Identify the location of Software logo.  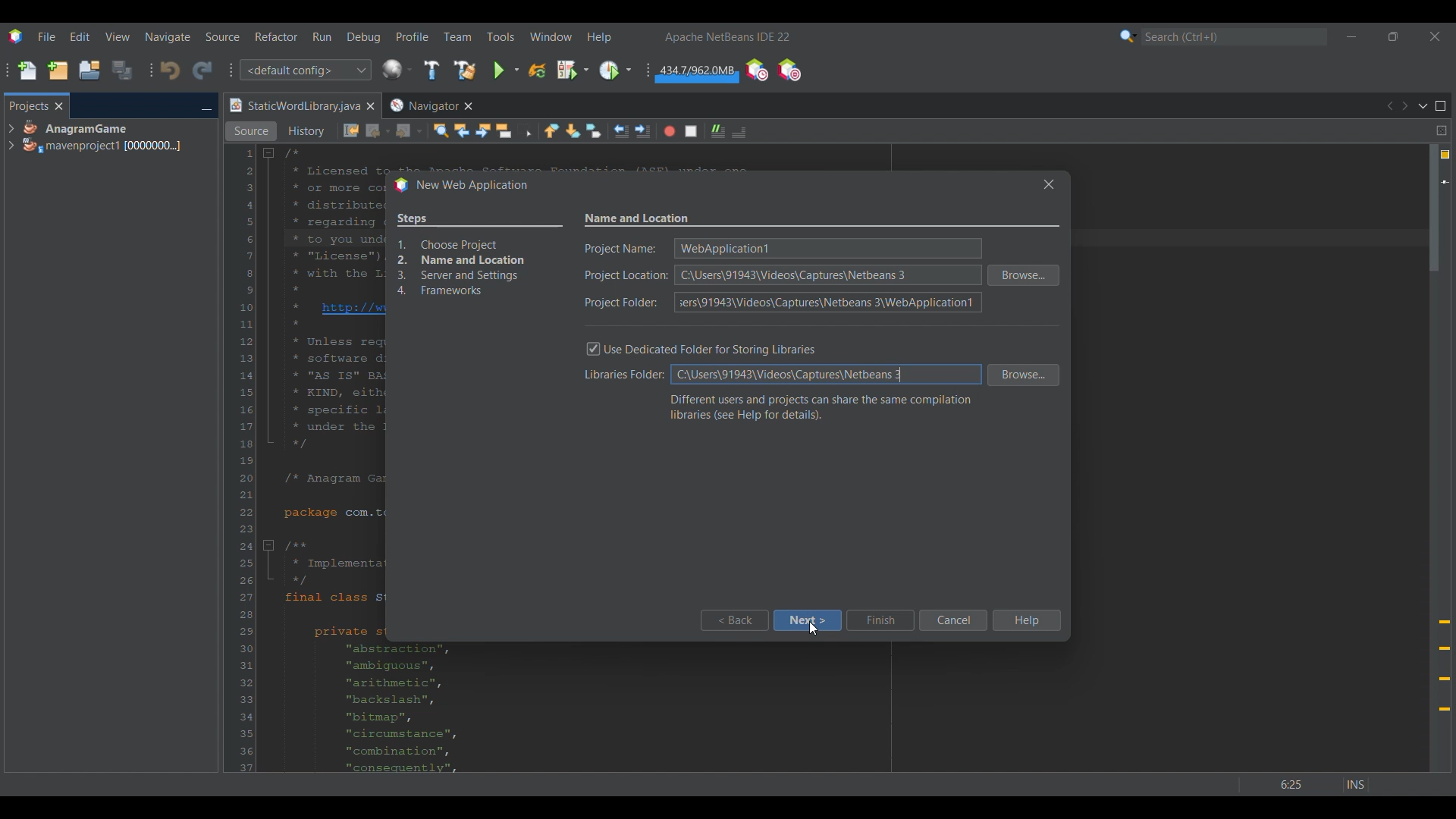
(15, 36).